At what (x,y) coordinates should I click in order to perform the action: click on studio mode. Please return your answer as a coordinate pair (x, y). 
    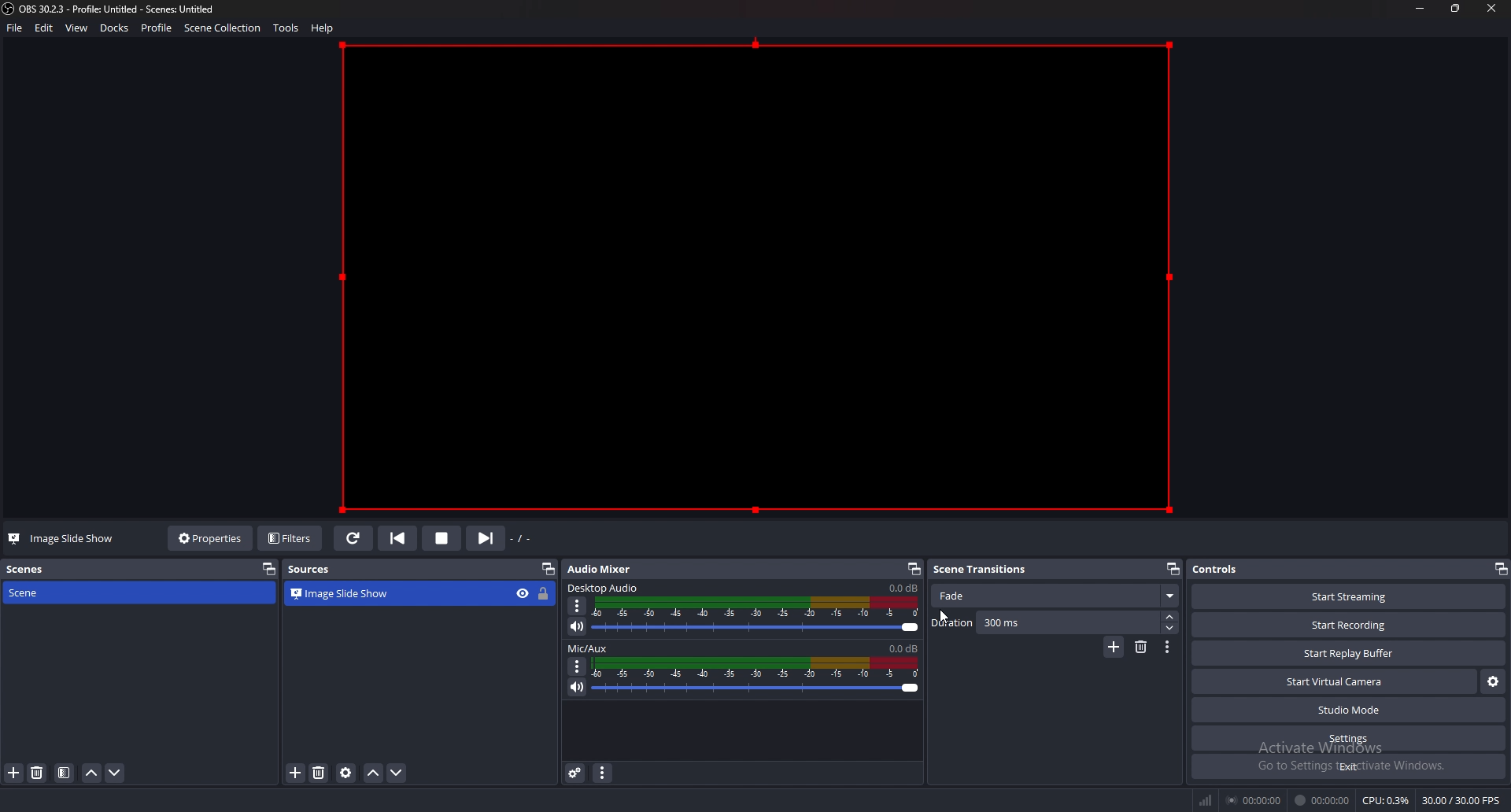
    Looking at the image, I should click on (1347, 710).